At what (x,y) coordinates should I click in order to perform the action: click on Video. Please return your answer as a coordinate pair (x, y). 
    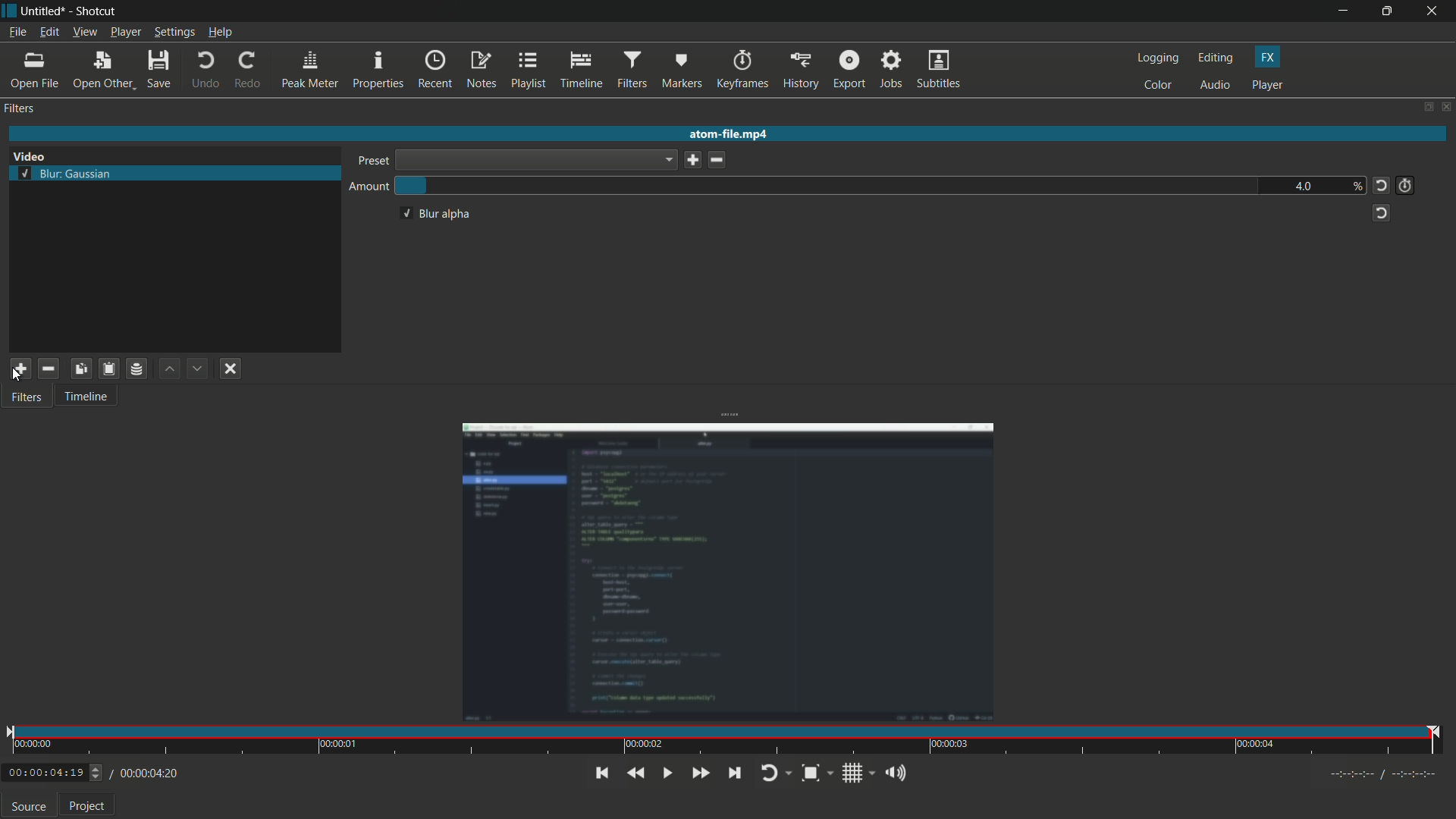
    Looking at the image, I should click on (36, 155).